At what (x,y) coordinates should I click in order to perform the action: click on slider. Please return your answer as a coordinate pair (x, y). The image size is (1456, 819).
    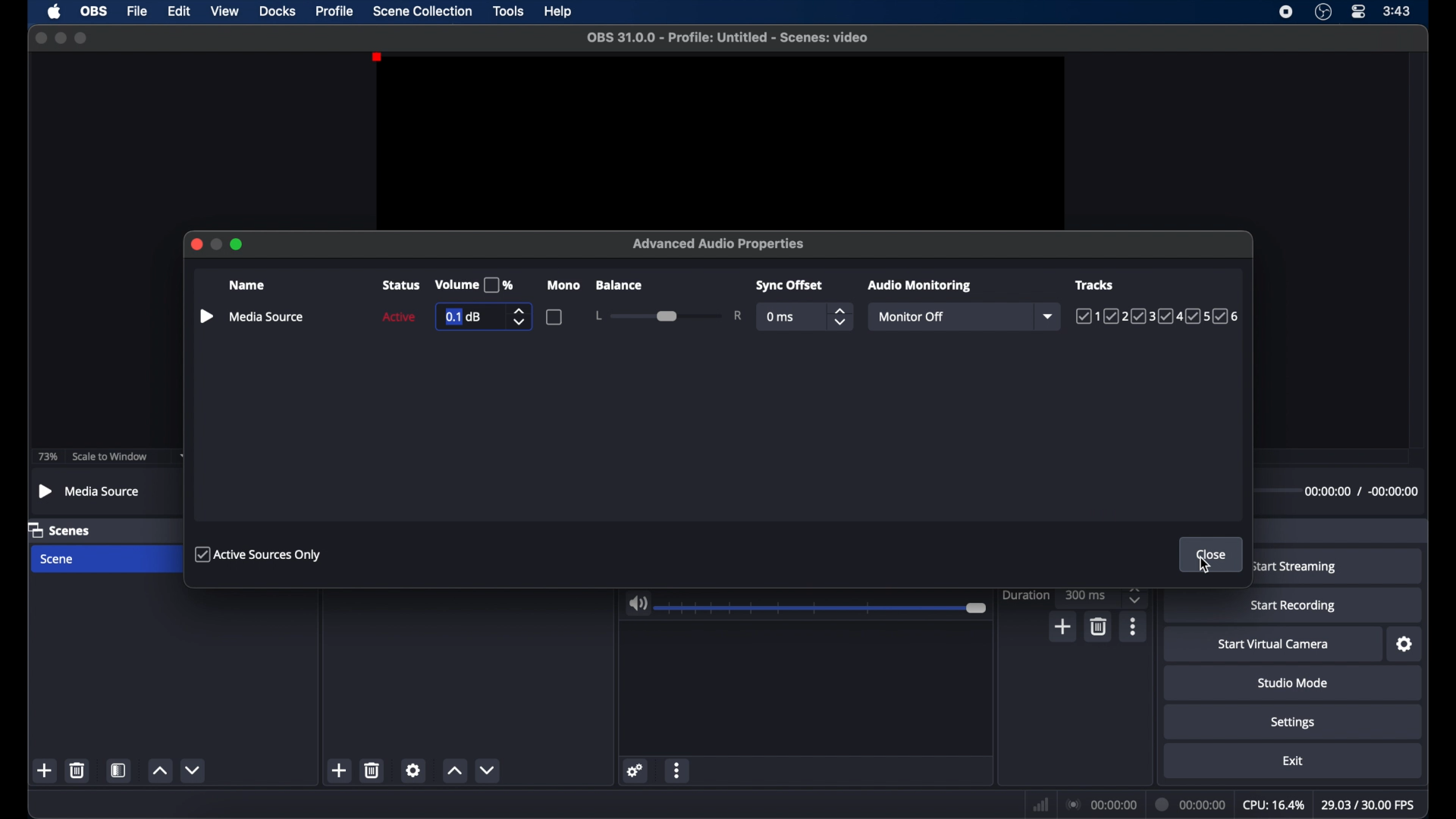
    Looking at the image, I should click on (824, 608).